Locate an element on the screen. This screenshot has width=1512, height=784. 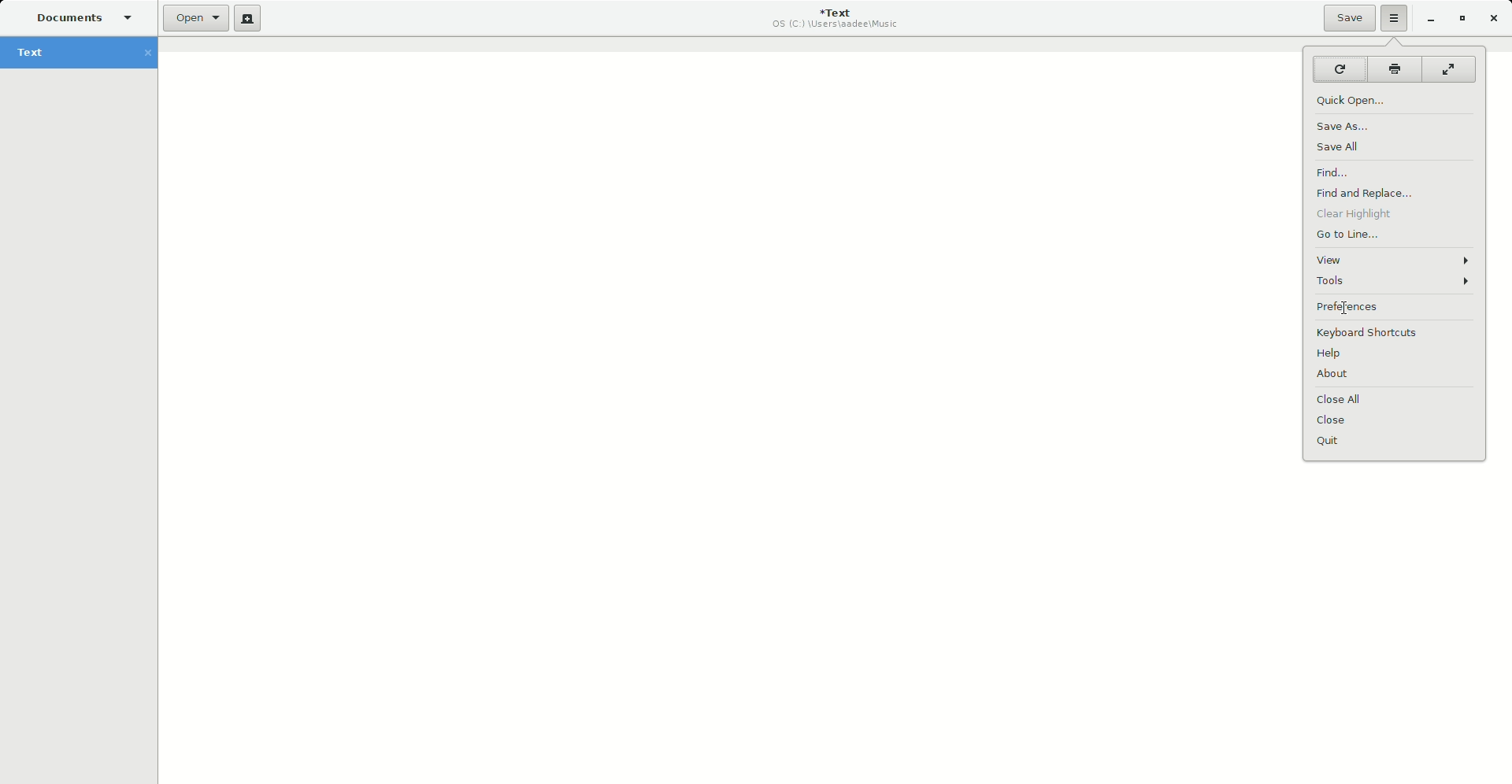
Text is located at coordinates (838, 18).